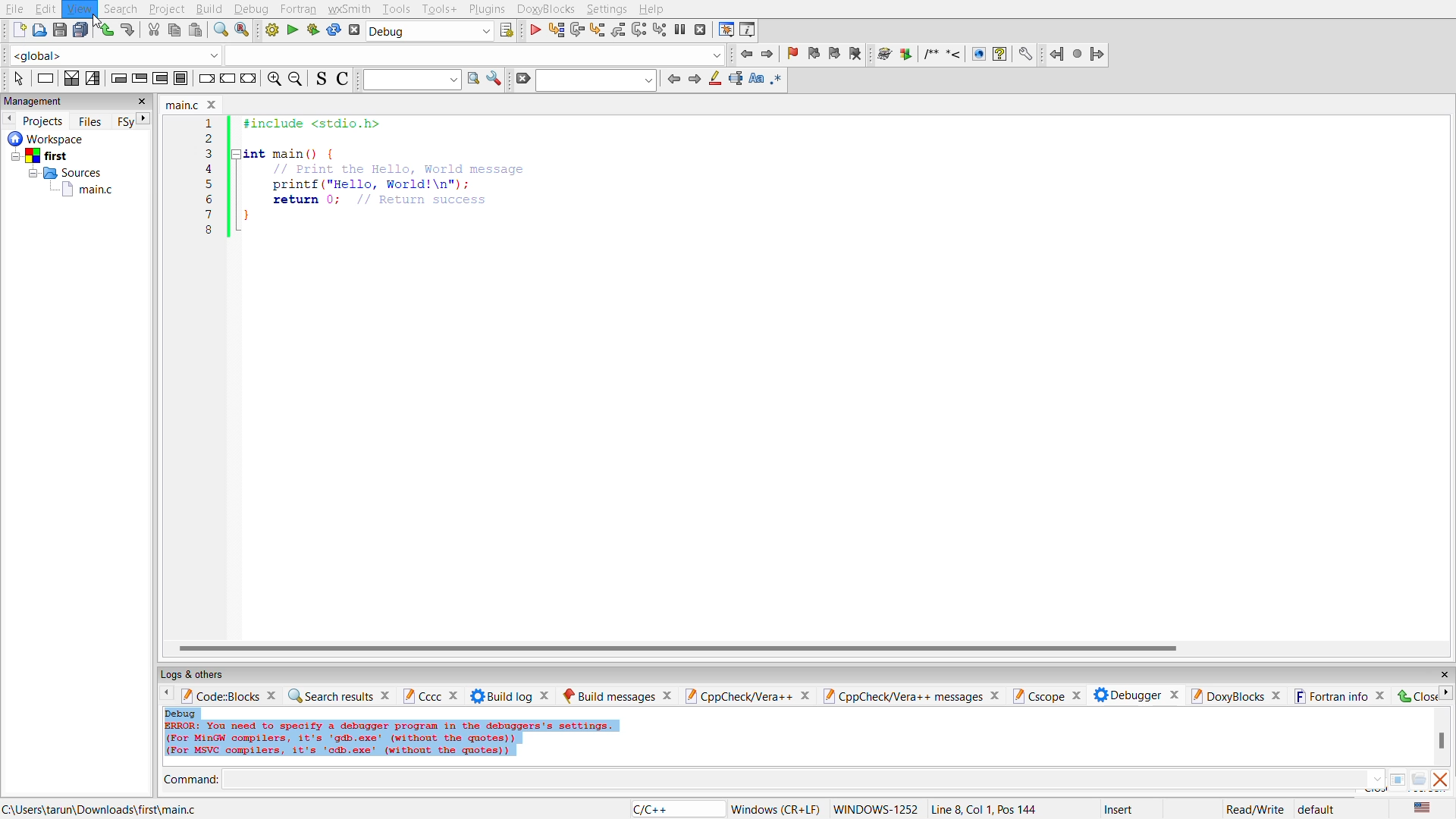  Describe the element at coordinates (64, 173) in the screenshot. I see `sources` at that location.